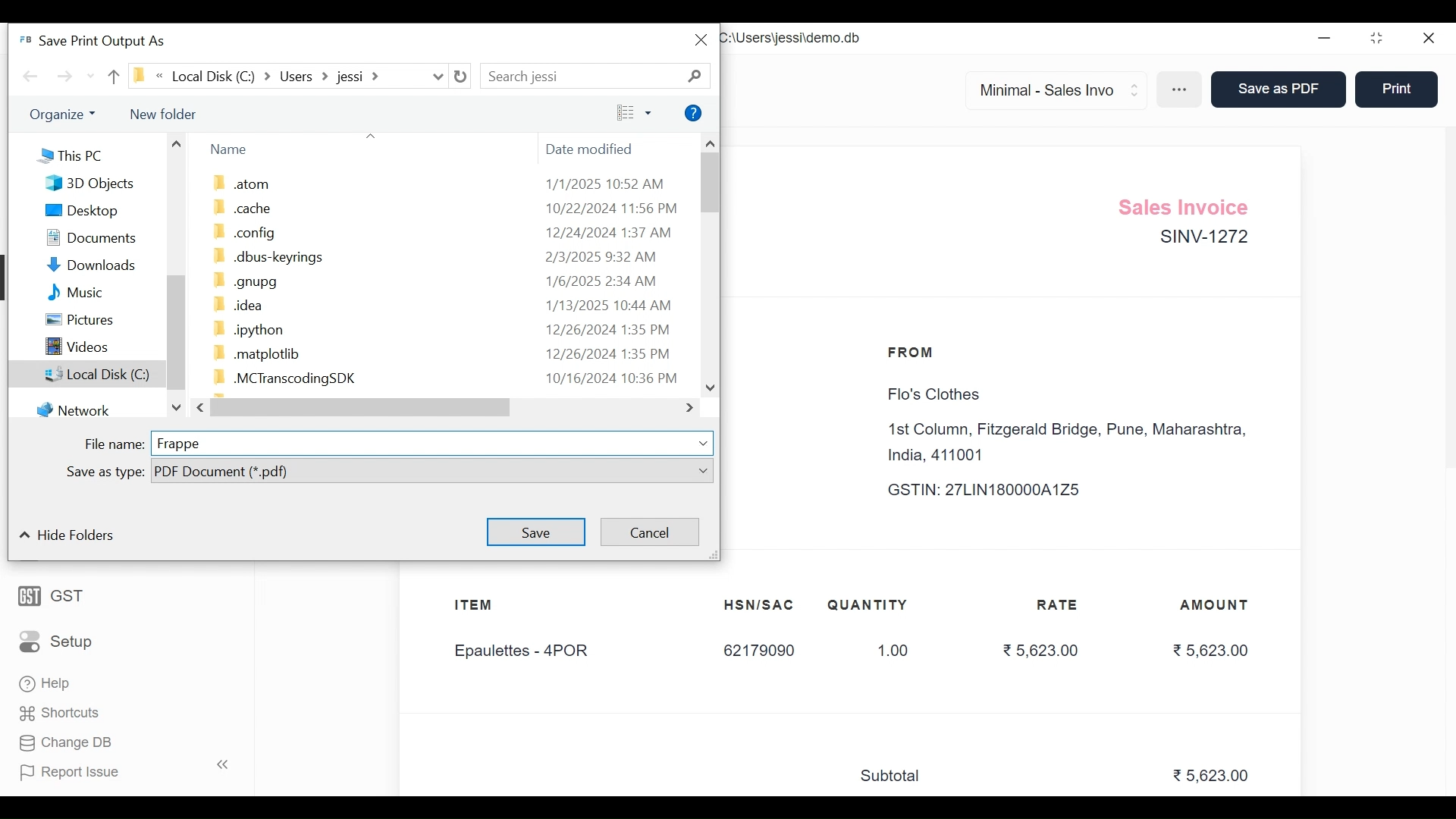 Image resolution: width=1456 pixels, height=819 pixels. Describe the element at coordinates (1379, 39) in the screenshot. I see `Restore` at that location.